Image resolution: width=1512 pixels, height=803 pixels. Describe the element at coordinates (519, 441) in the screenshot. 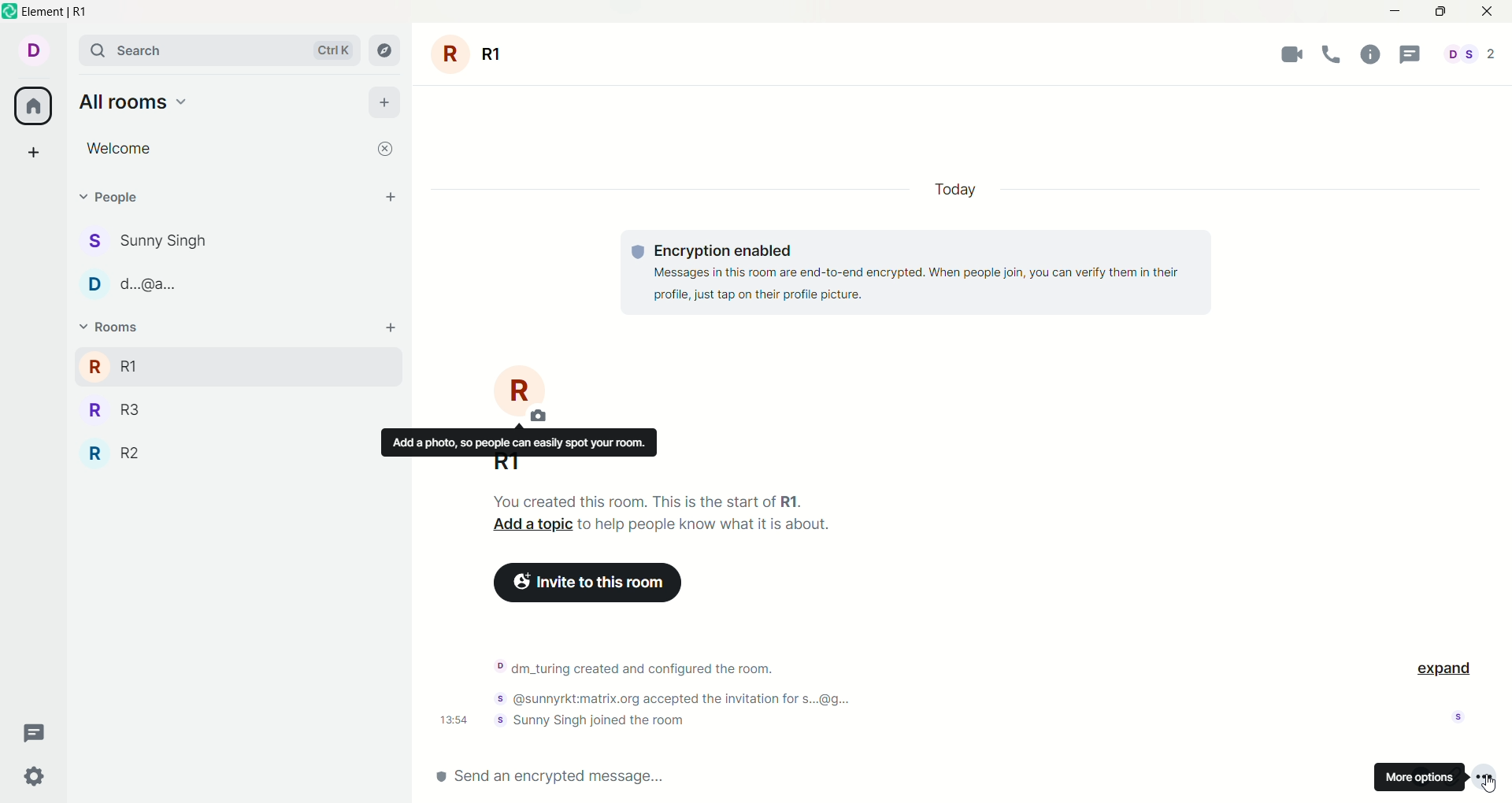

I see `Text description of function of button above` at that location.